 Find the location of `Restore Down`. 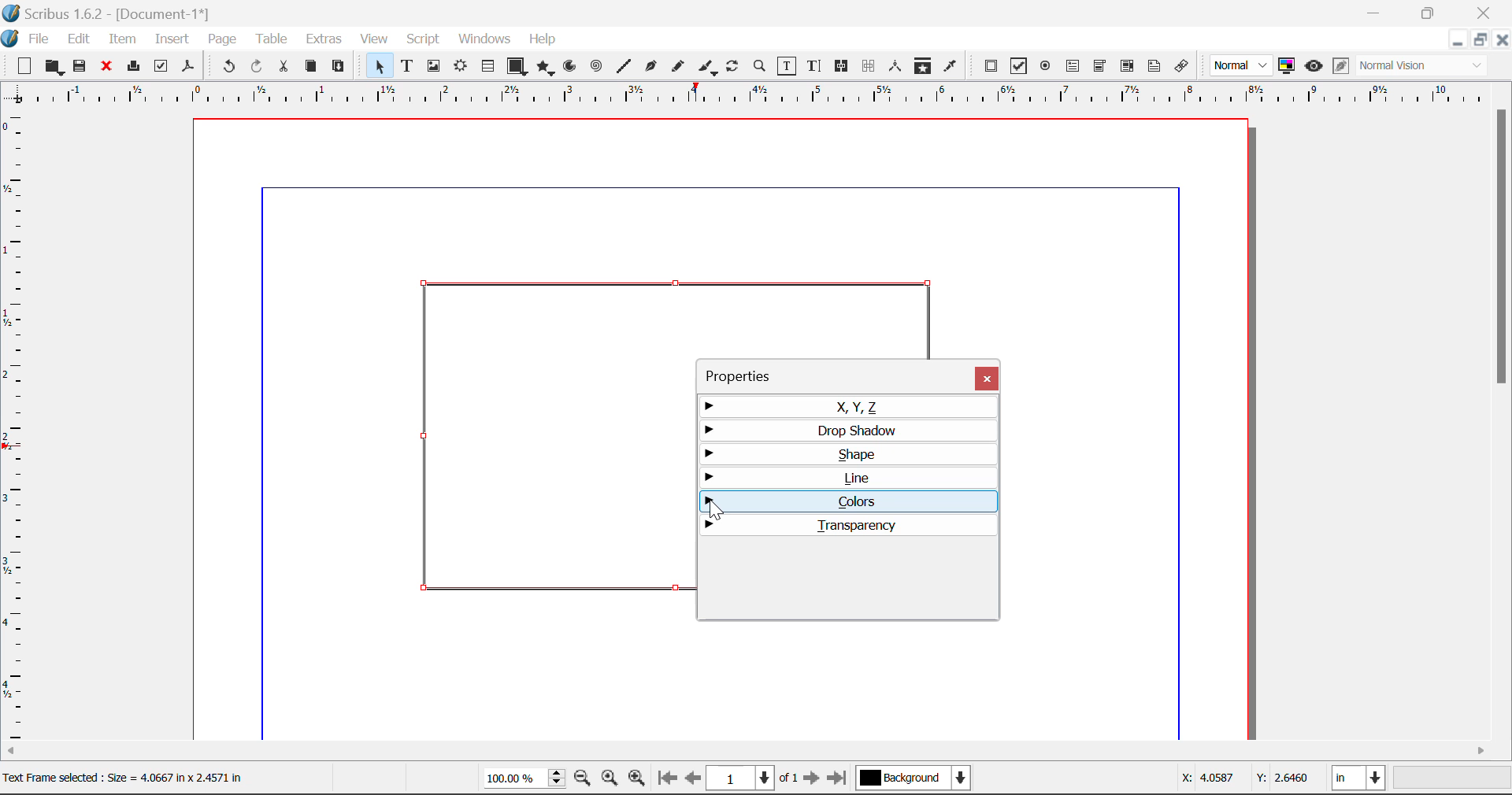

Restore Down is located at coordinates (1457, 39).